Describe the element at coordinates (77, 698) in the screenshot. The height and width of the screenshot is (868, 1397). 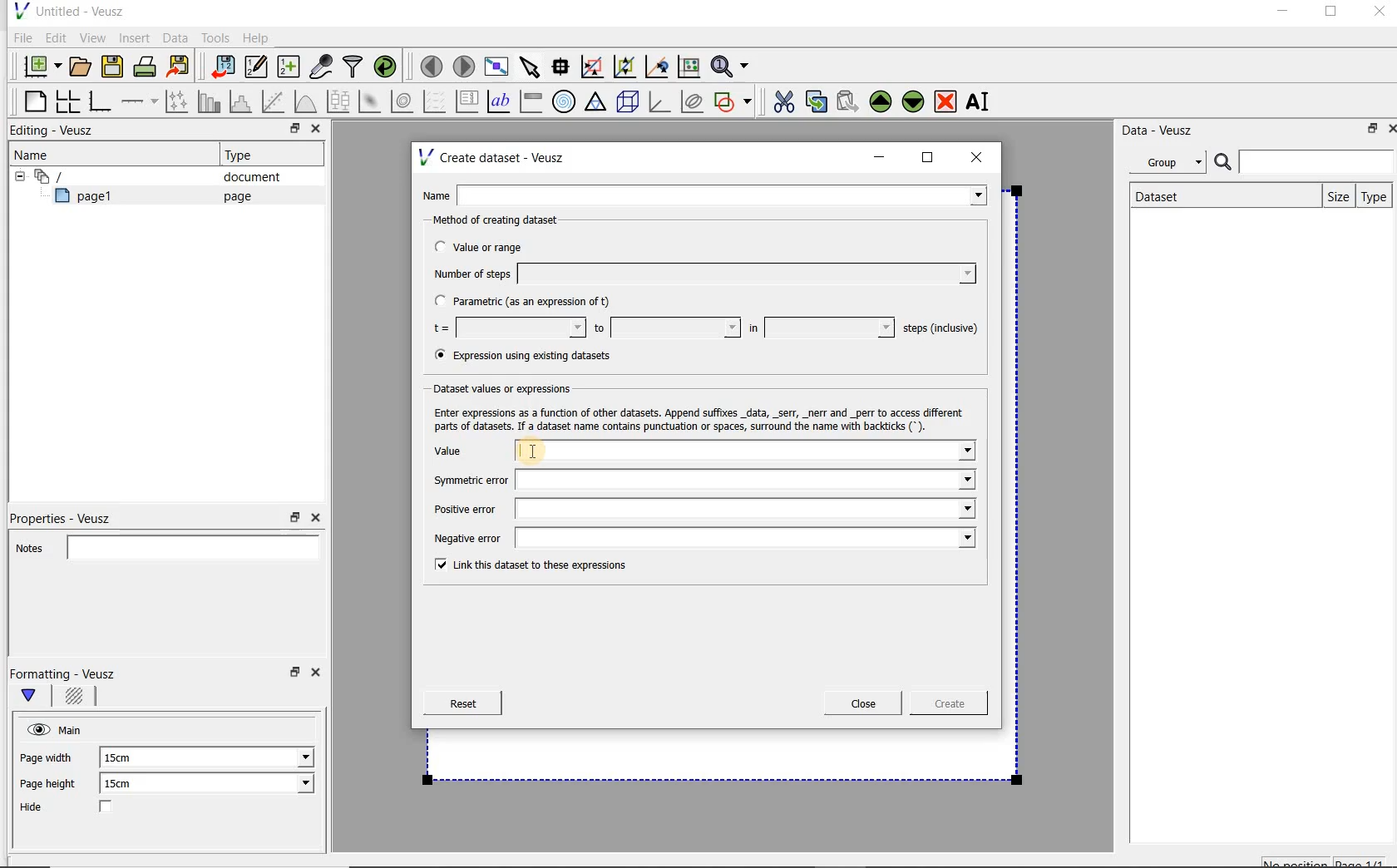
I see `Background` at that location.